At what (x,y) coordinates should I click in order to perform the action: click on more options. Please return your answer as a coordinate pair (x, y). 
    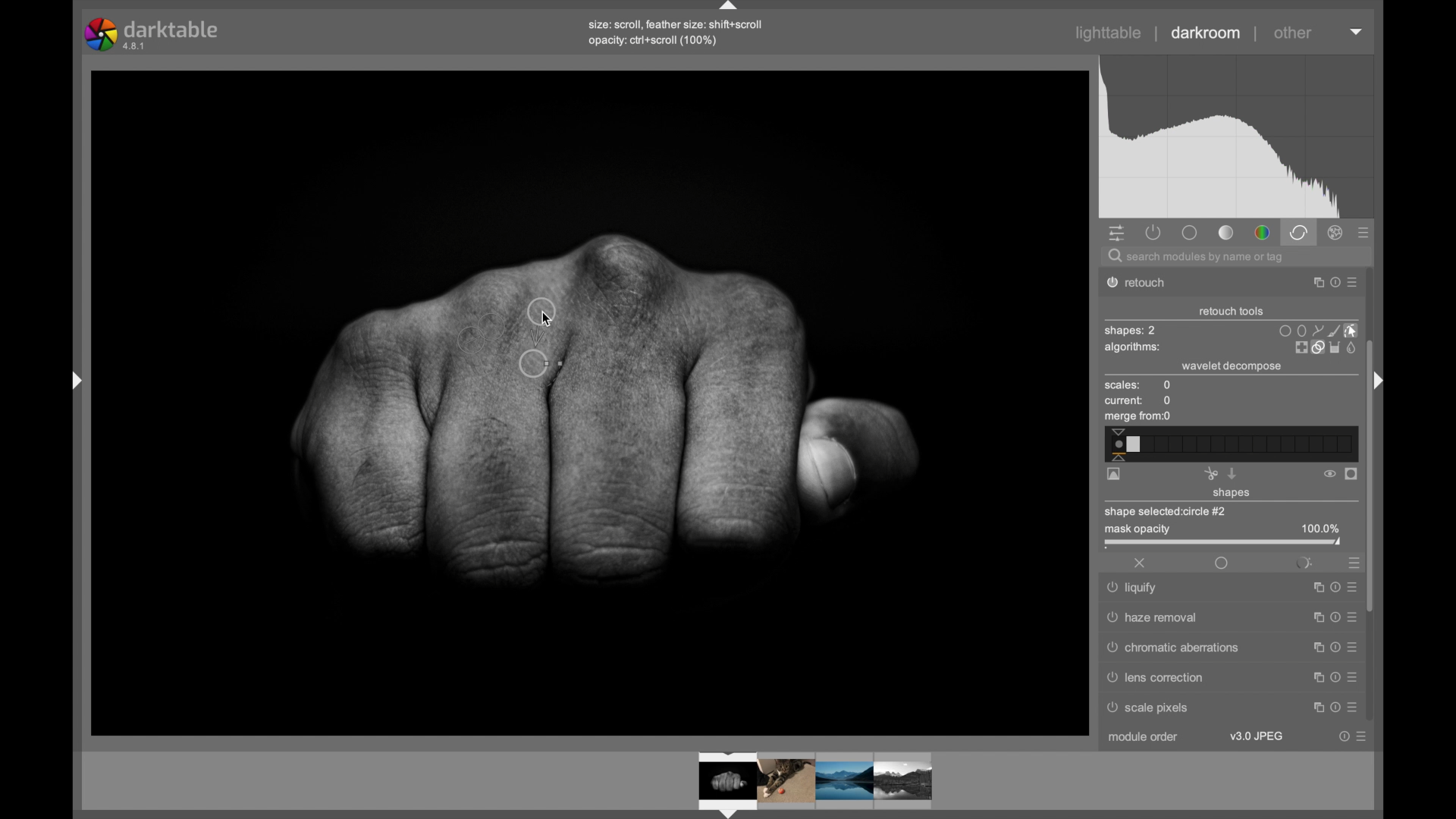
    Looking at the image, I should click on (1352, 708).